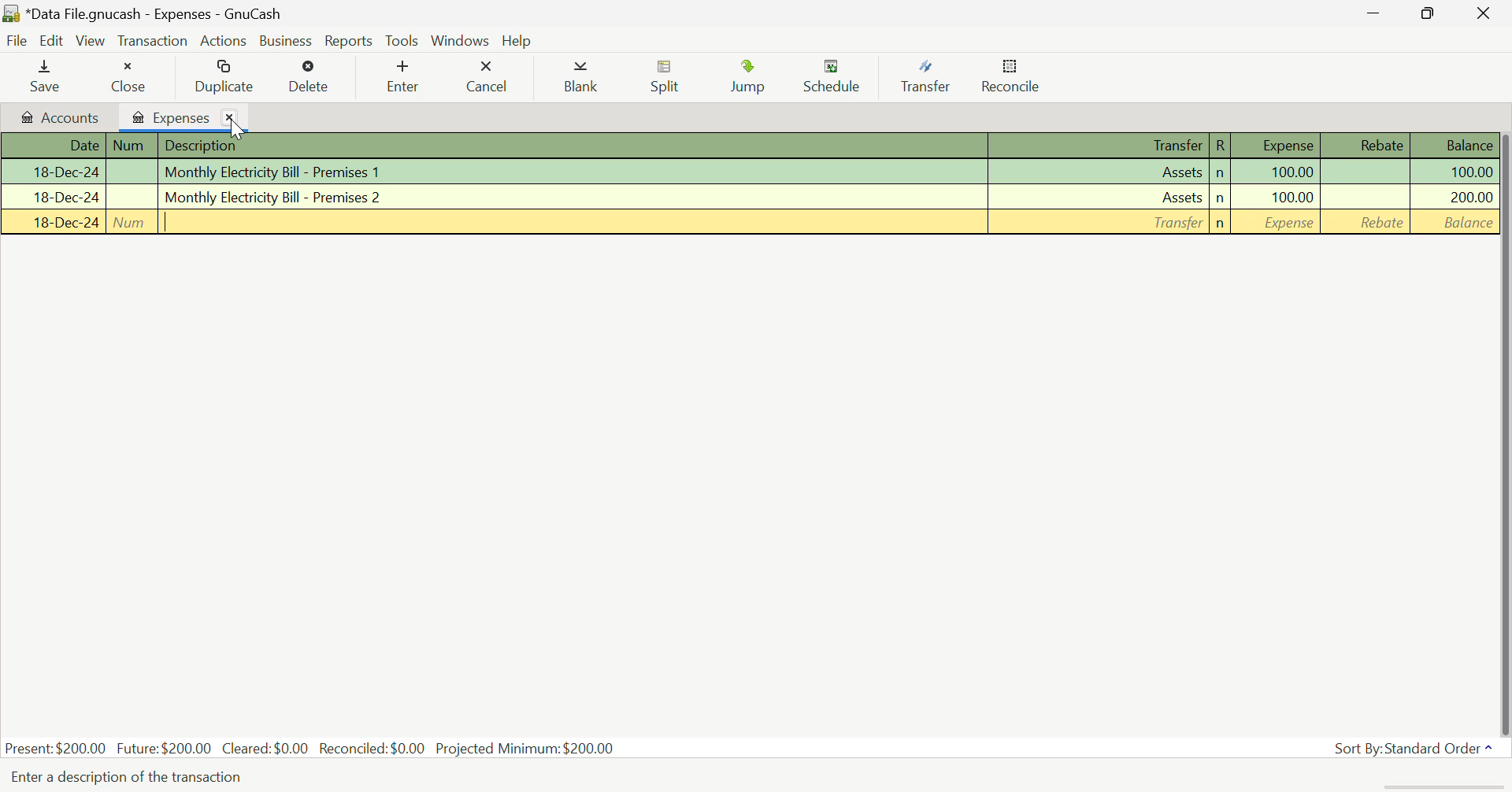 The image size is (1512, 792). Describe the element at coordinates (238, 131) in the screenshot. I see `Cursor on Close Tab` at that location.